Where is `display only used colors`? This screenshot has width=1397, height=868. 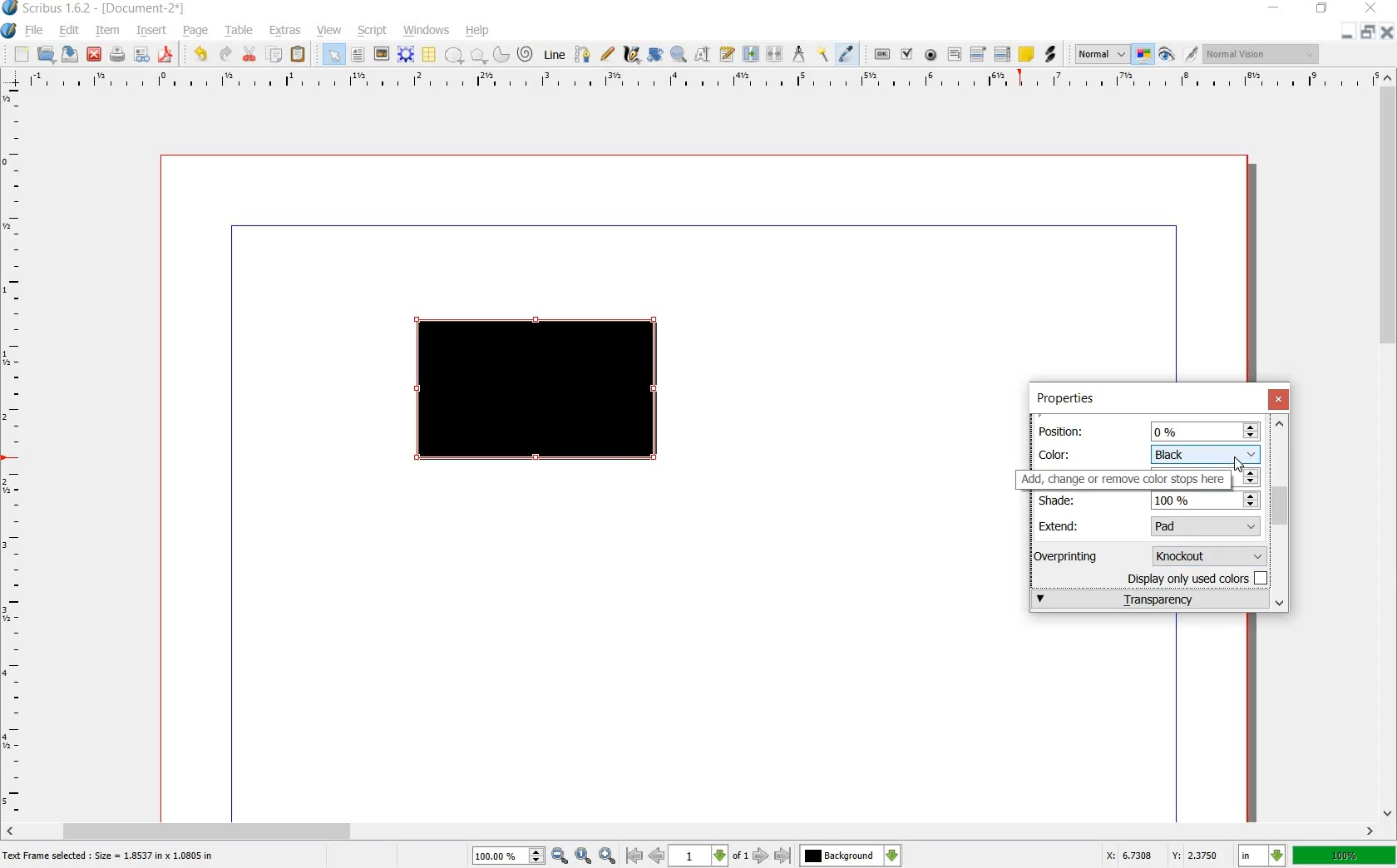
display only used colors is located at coordinates (1199, 577).